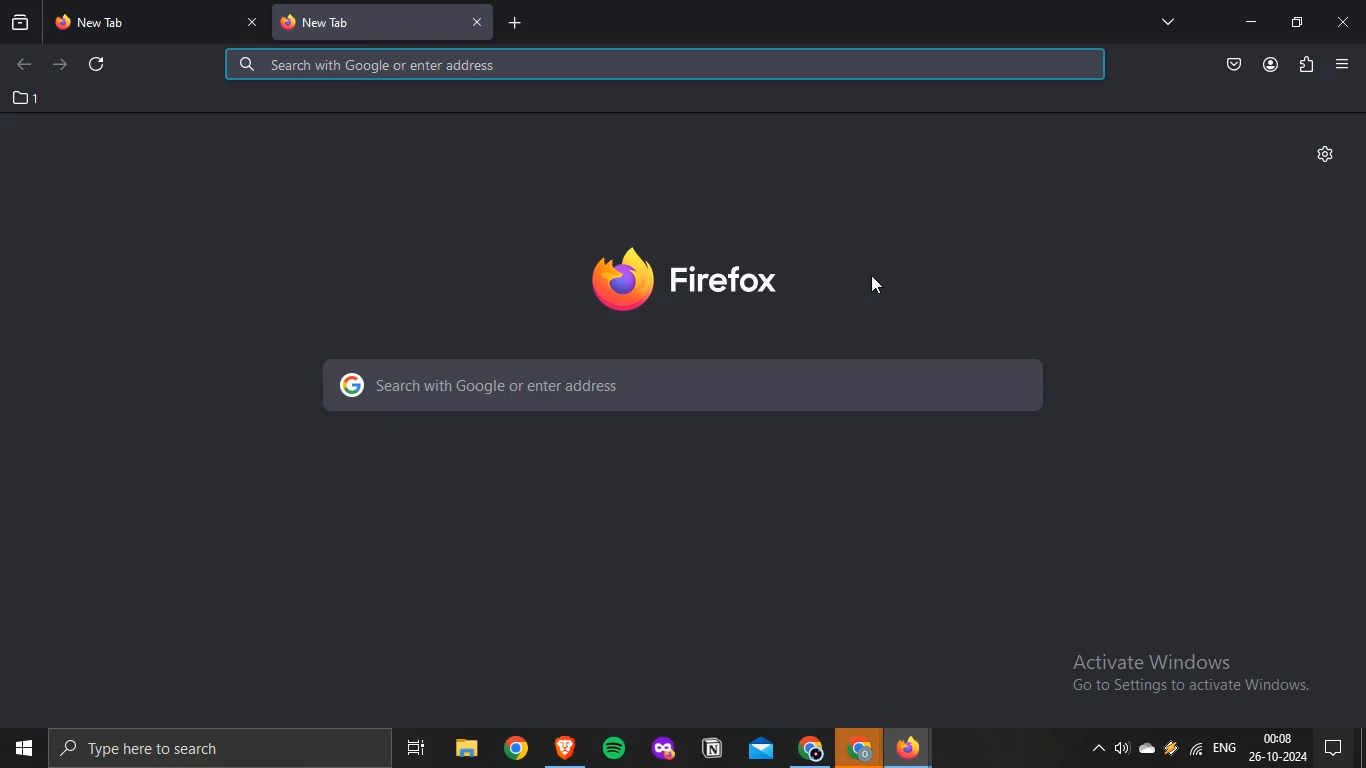  What do you see at coordinates (681, 385) in the screenshot?
I see `search with google or enter address` at bounding box center [681, 385].